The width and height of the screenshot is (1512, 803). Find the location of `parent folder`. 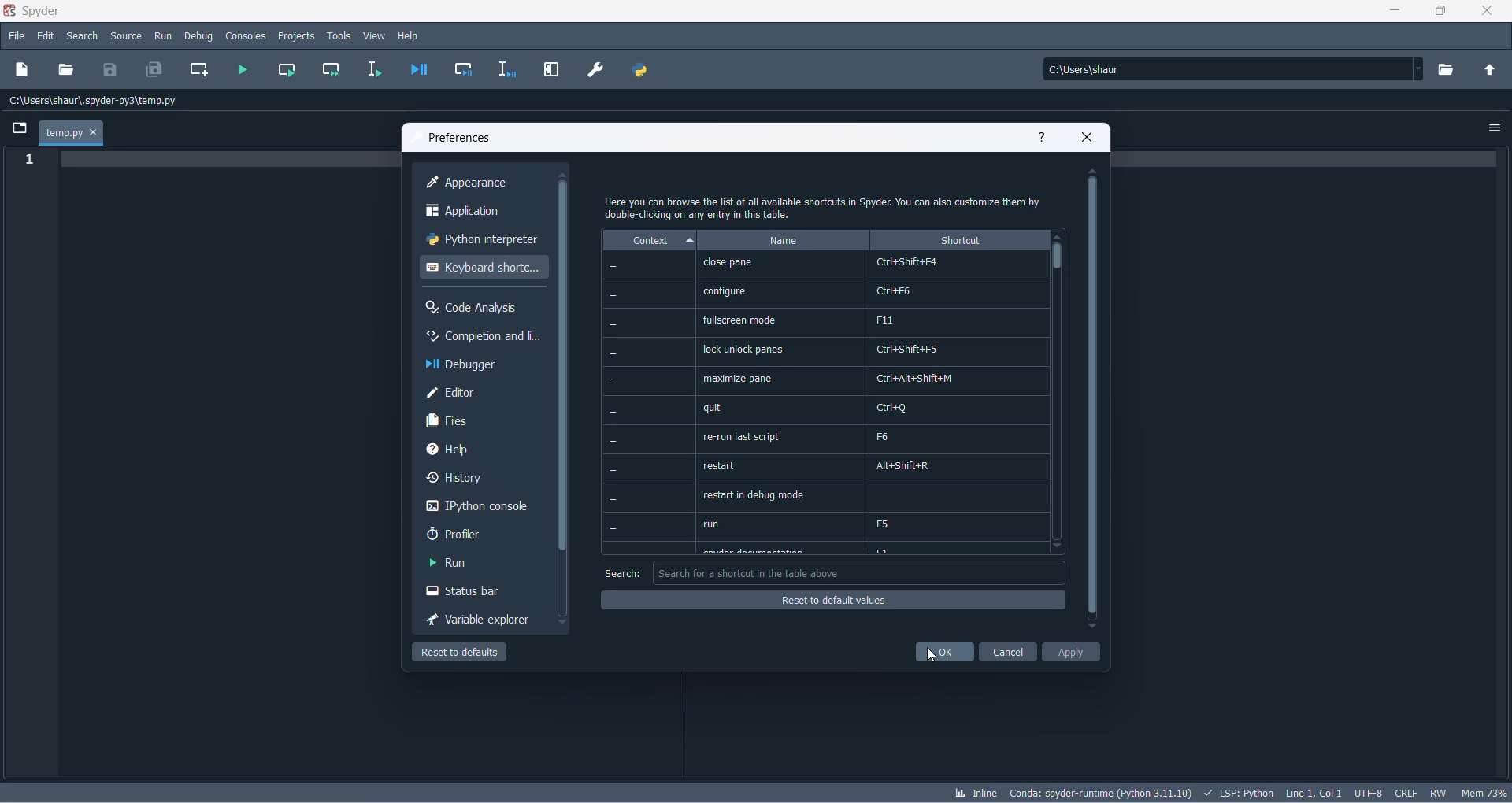

parent folder is located at coordinates (1492, 71).